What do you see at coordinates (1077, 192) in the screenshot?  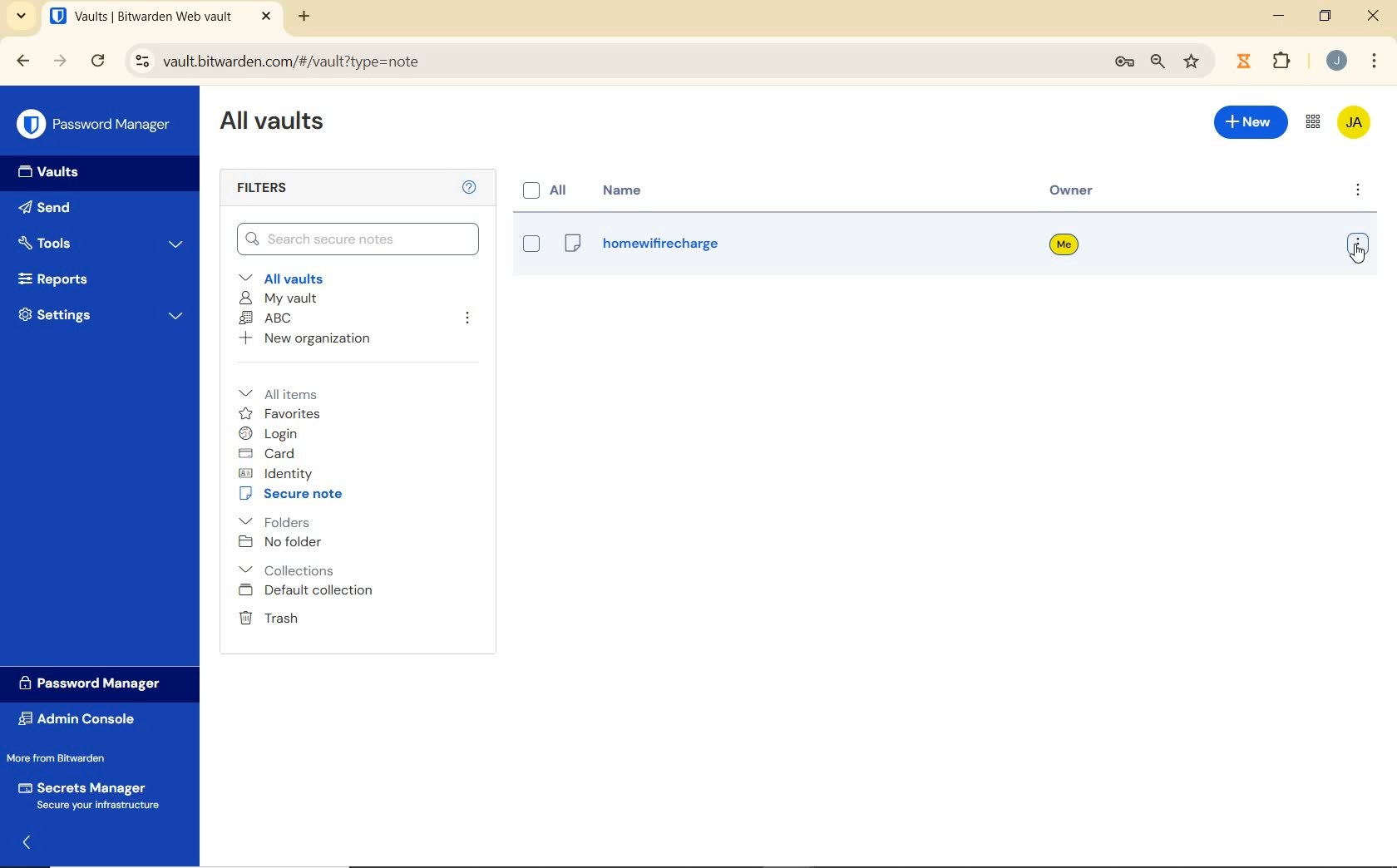 I see `owner` at bounding box center [1077, 192].